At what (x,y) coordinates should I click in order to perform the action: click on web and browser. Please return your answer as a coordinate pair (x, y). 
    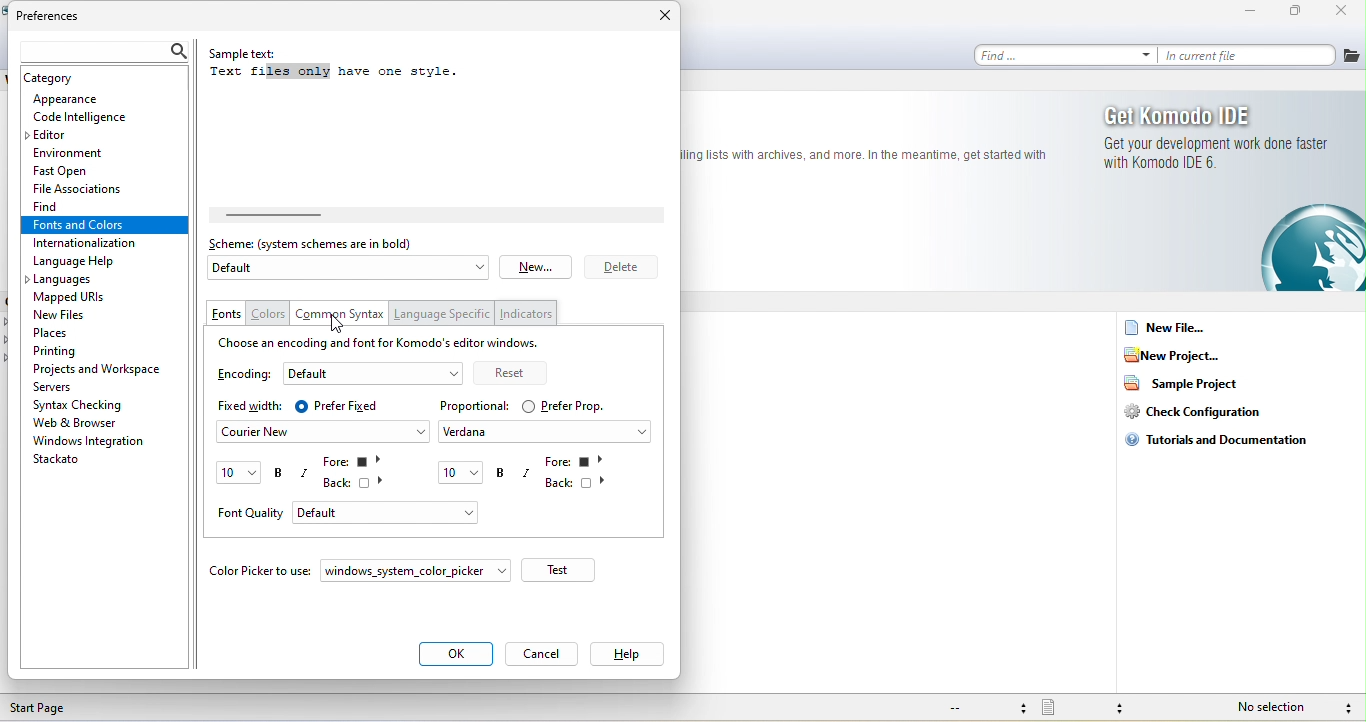
    Looking at the image, I should click on (86, 423).